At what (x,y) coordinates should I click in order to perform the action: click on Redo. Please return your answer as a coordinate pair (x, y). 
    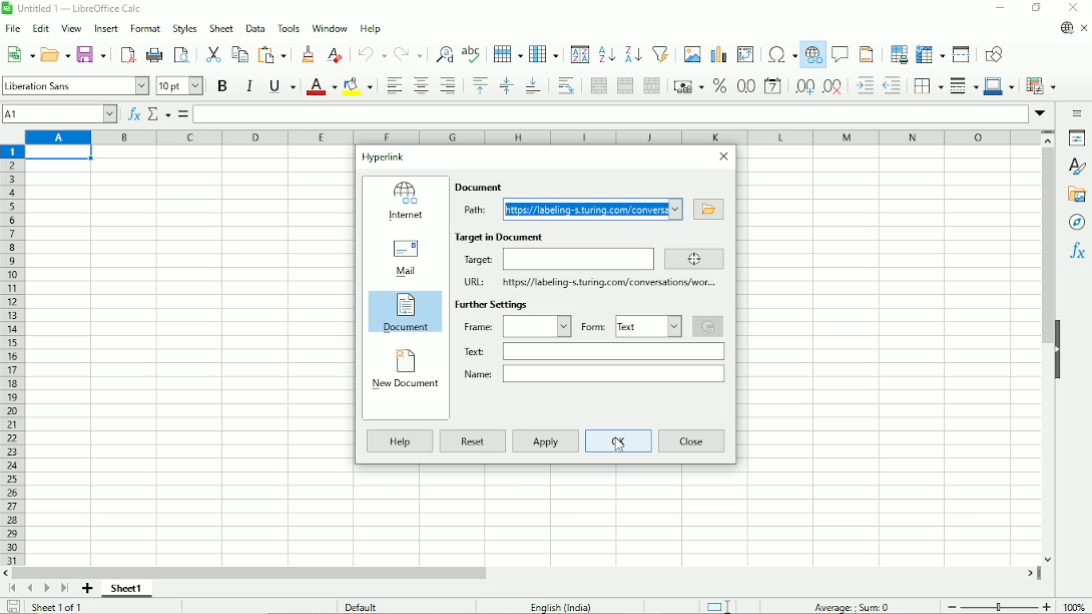
    Looking at the image, I should click on (408, 53).